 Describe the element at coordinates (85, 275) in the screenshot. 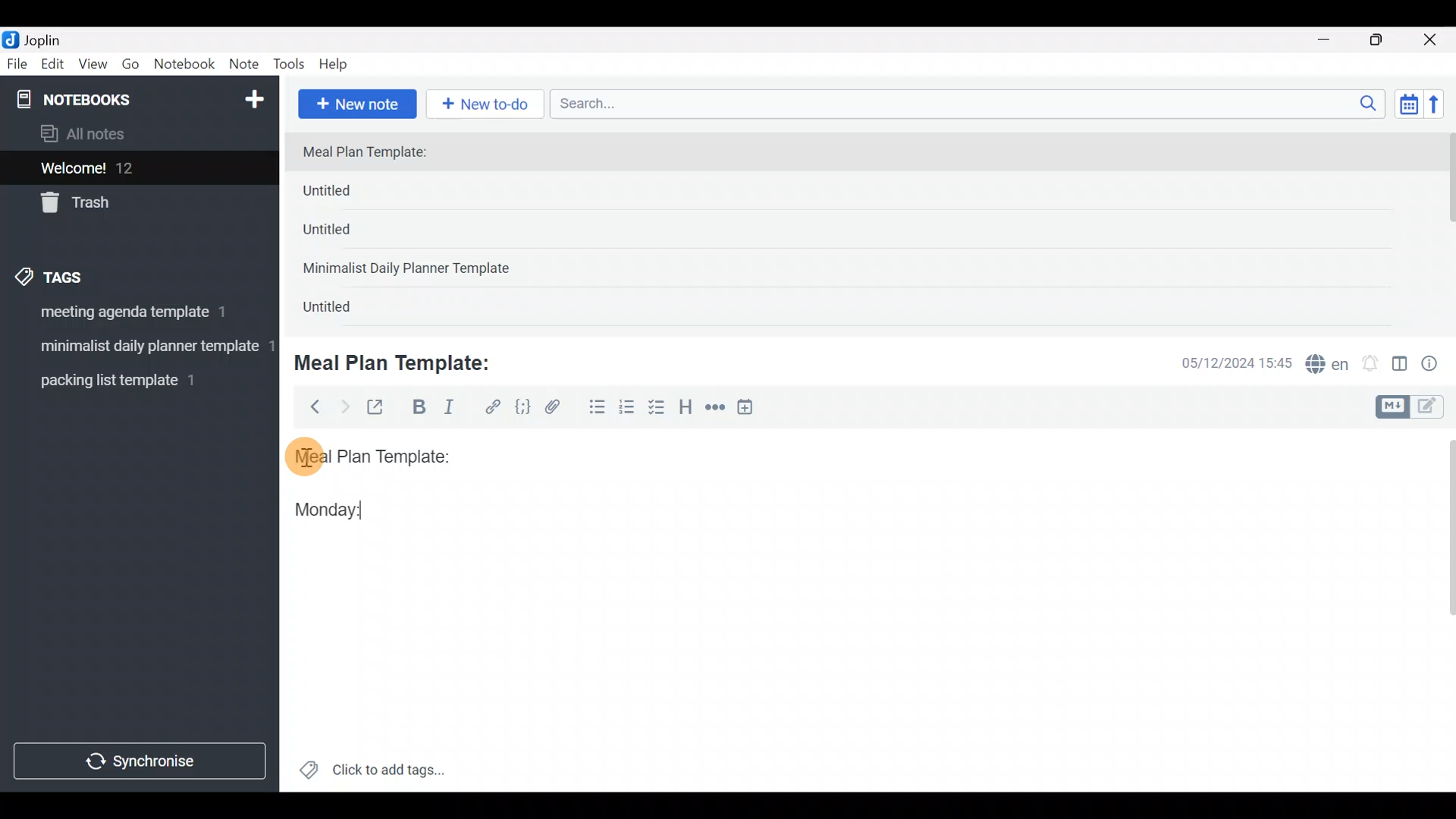

I see `Tags` at that location.